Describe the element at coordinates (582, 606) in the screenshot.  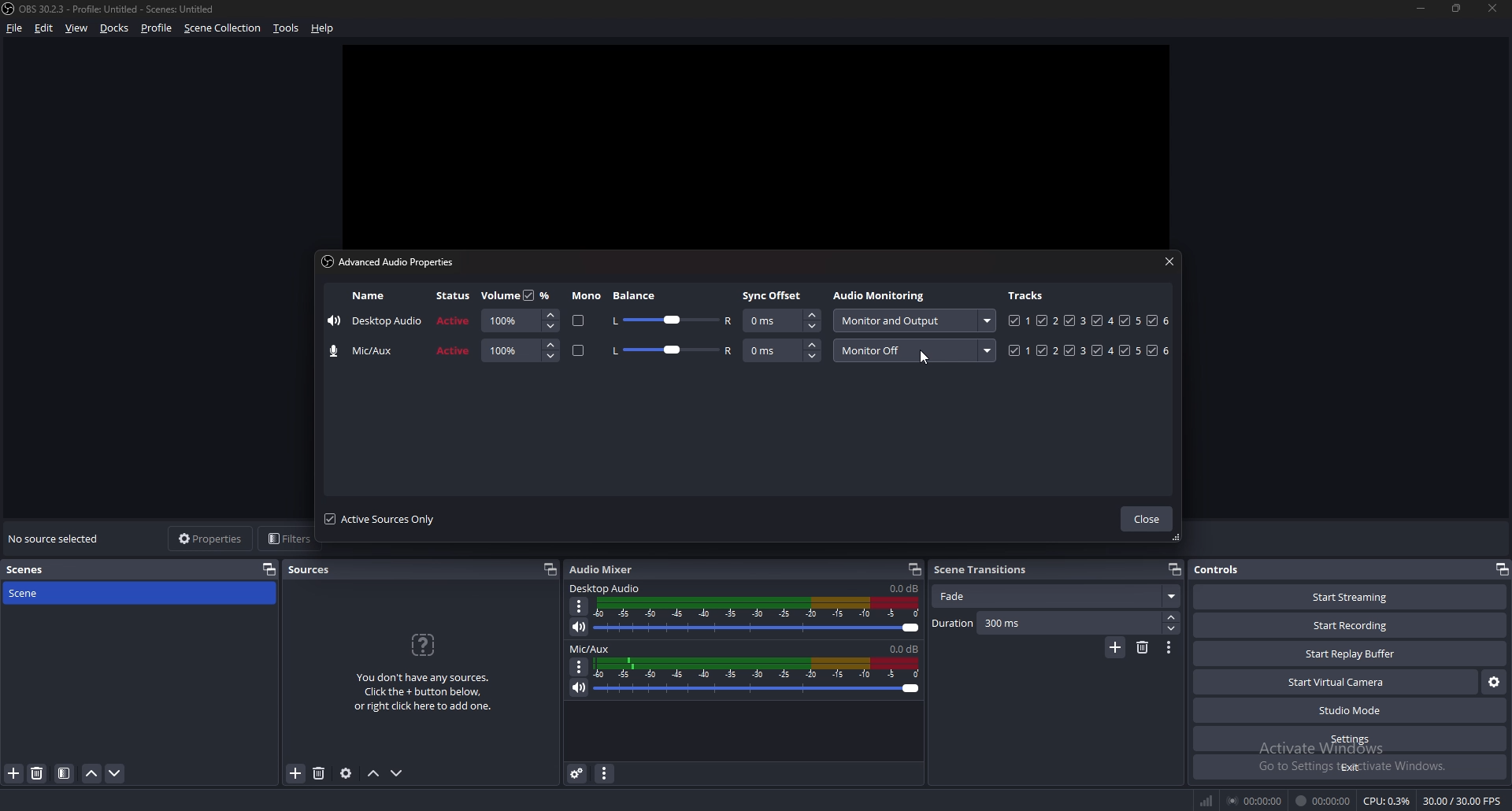
I see `options` at that location.